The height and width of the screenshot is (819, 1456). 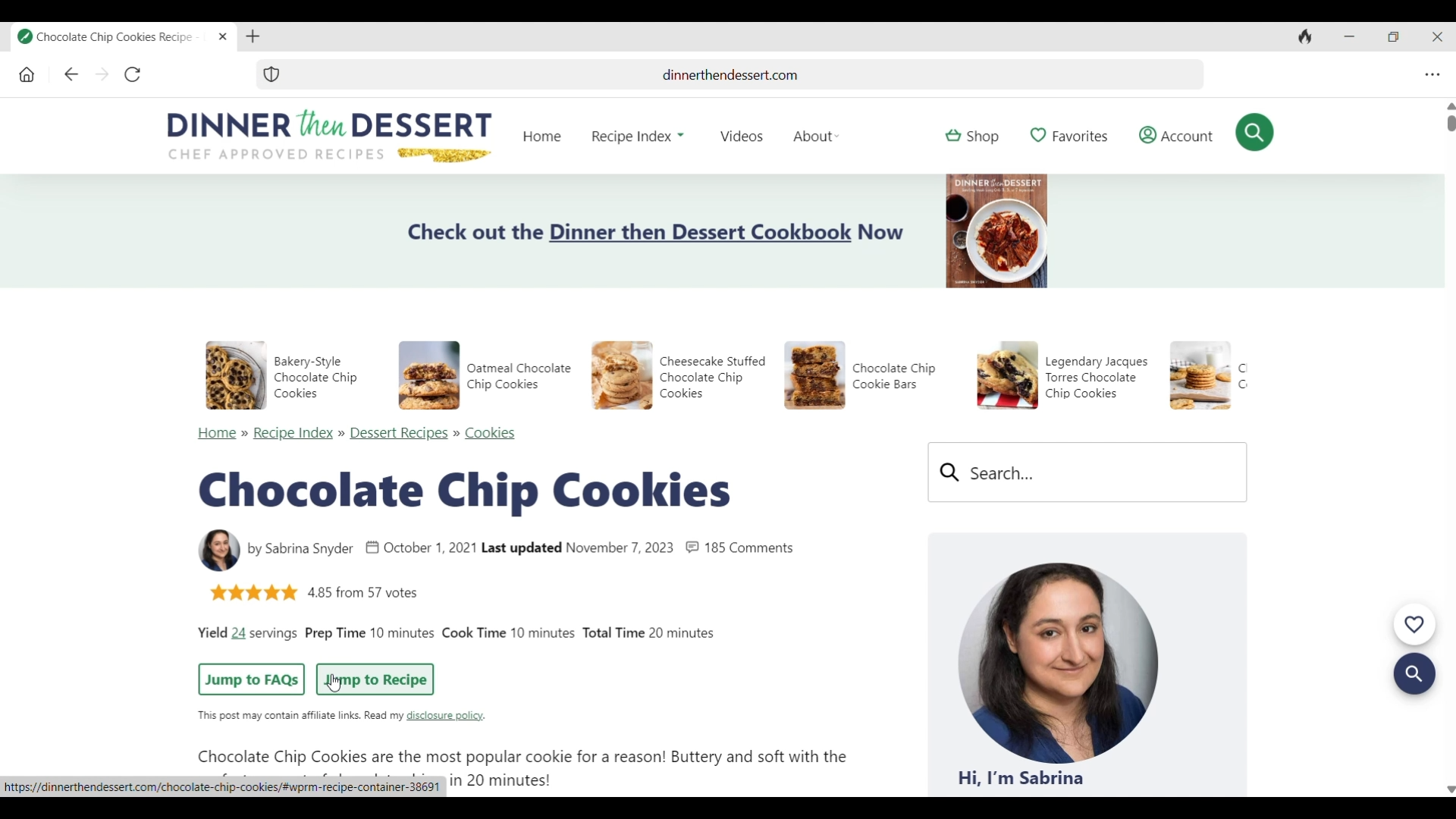 I want to click on 185 Comments, so click(x=751, y=548).